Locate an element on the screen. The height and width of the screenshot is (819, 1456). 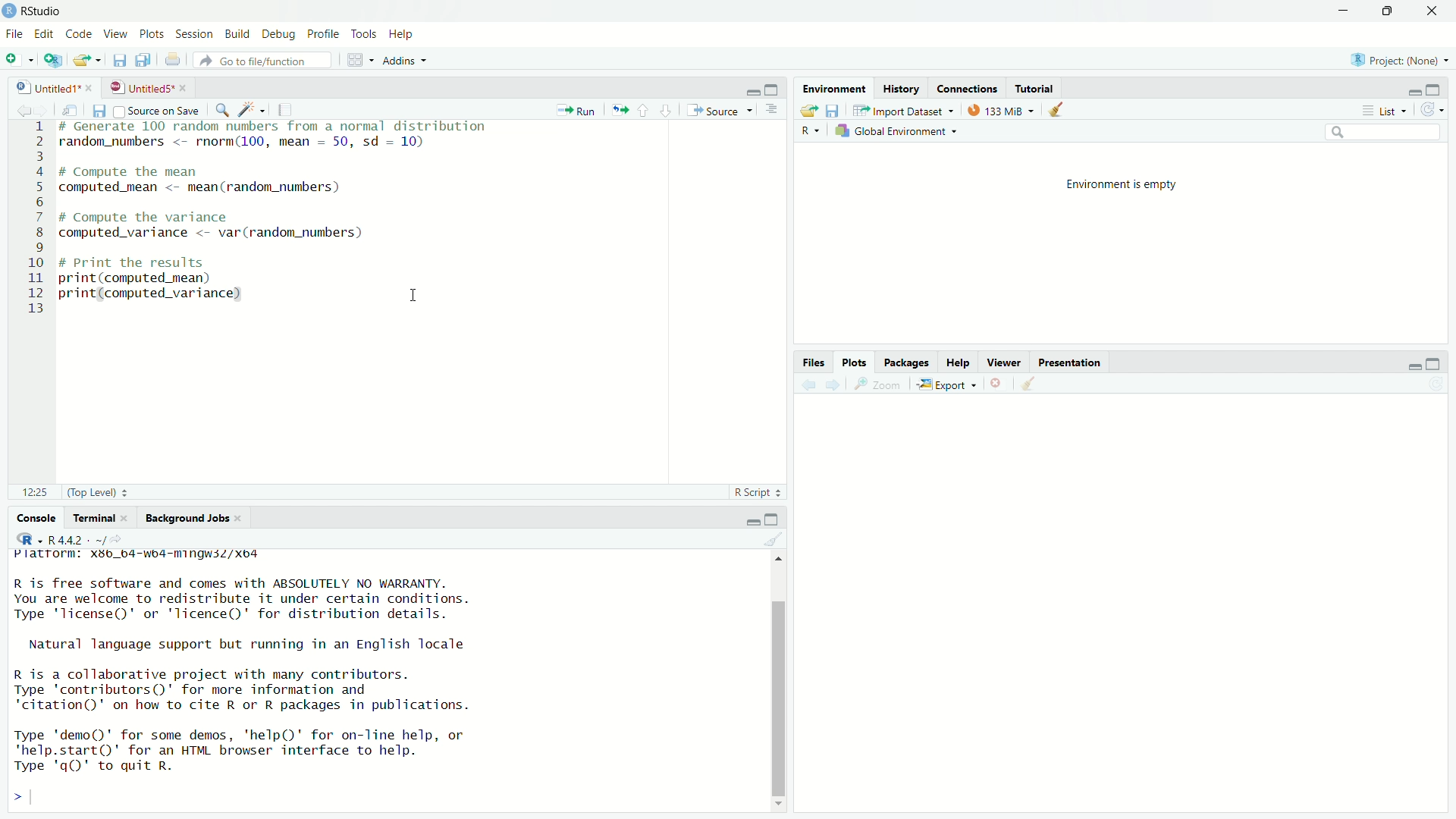
maximize is located at coordinates (1391, 11).